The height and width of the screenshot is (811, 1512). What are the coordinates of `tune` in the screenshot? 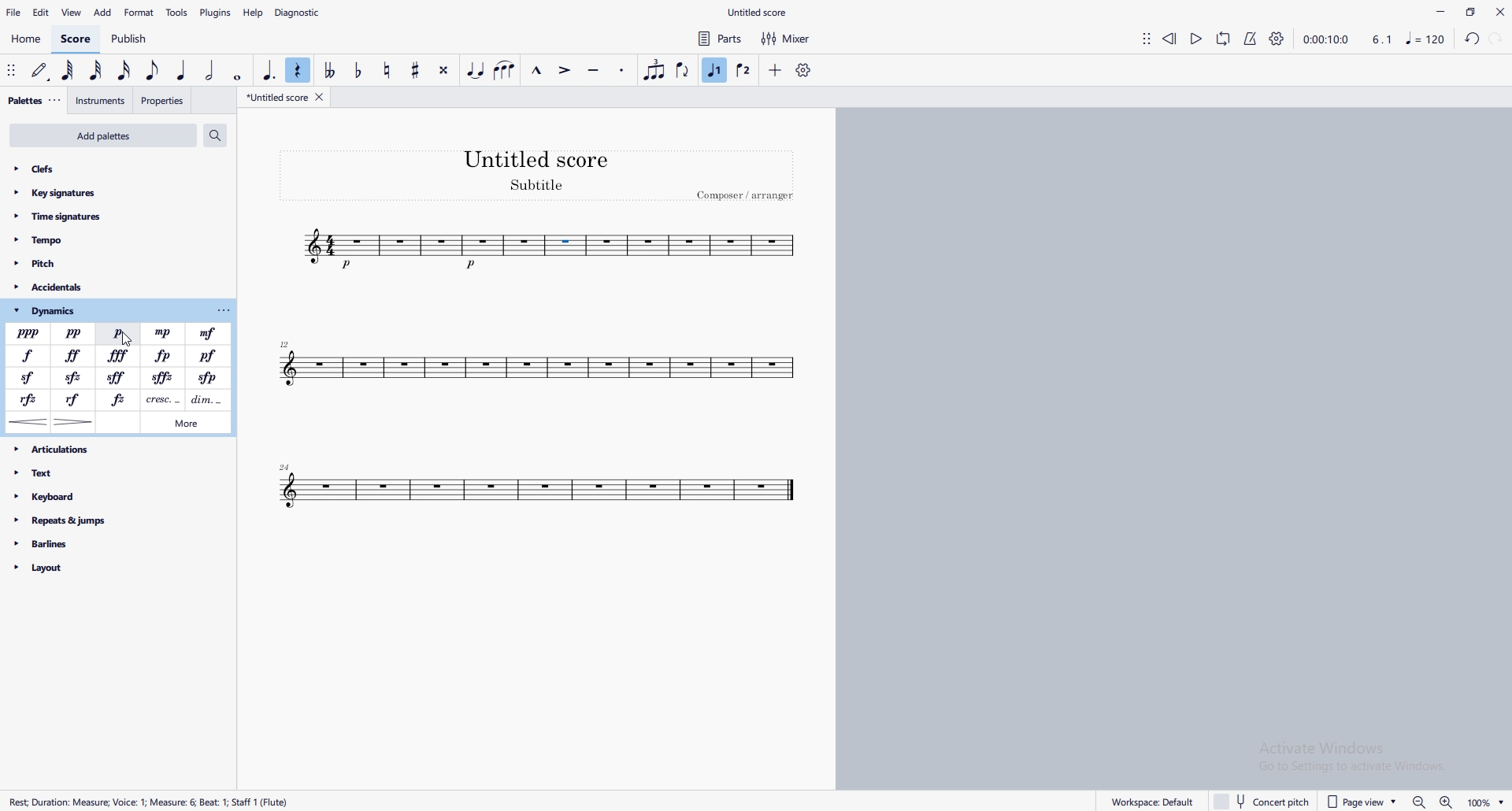 It's located at (539, 365).